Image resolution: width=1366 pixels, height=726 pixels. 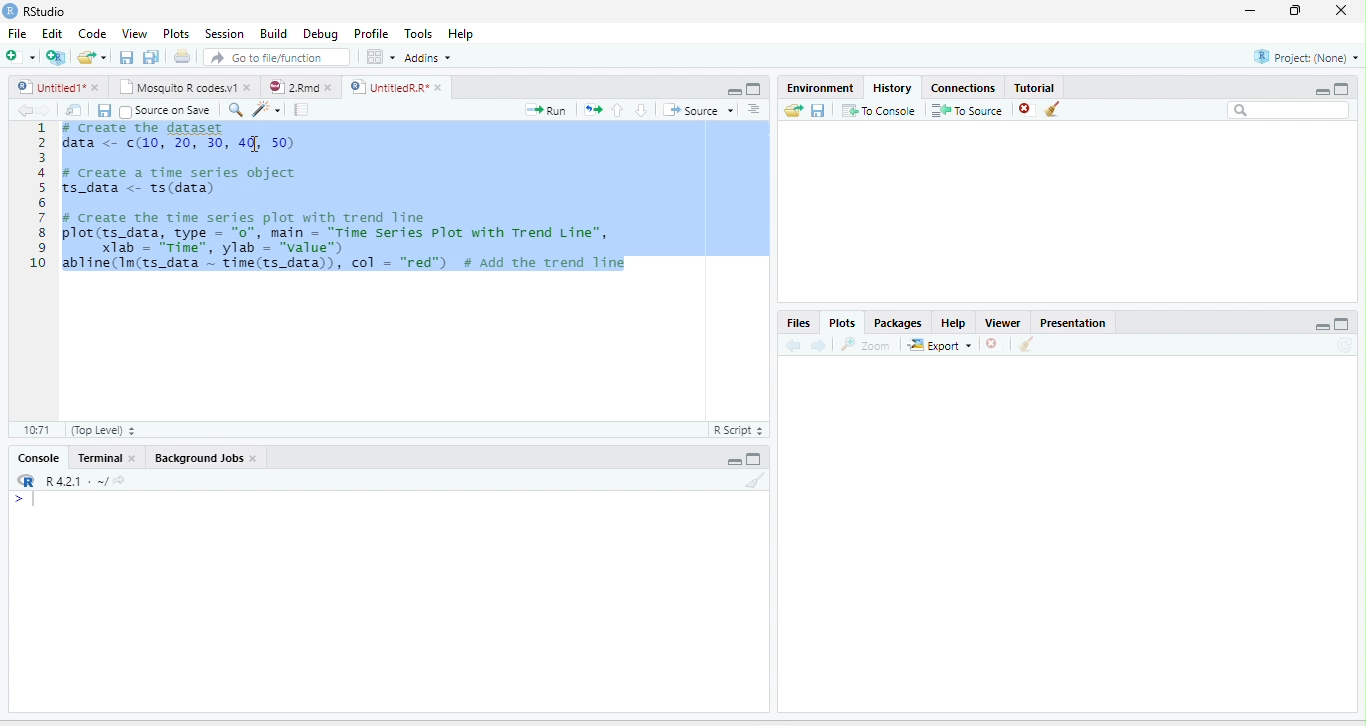 What do you see at coordinates (417, 33) in the screenshot?
I see `Tools` at bounding box center [417, 33].